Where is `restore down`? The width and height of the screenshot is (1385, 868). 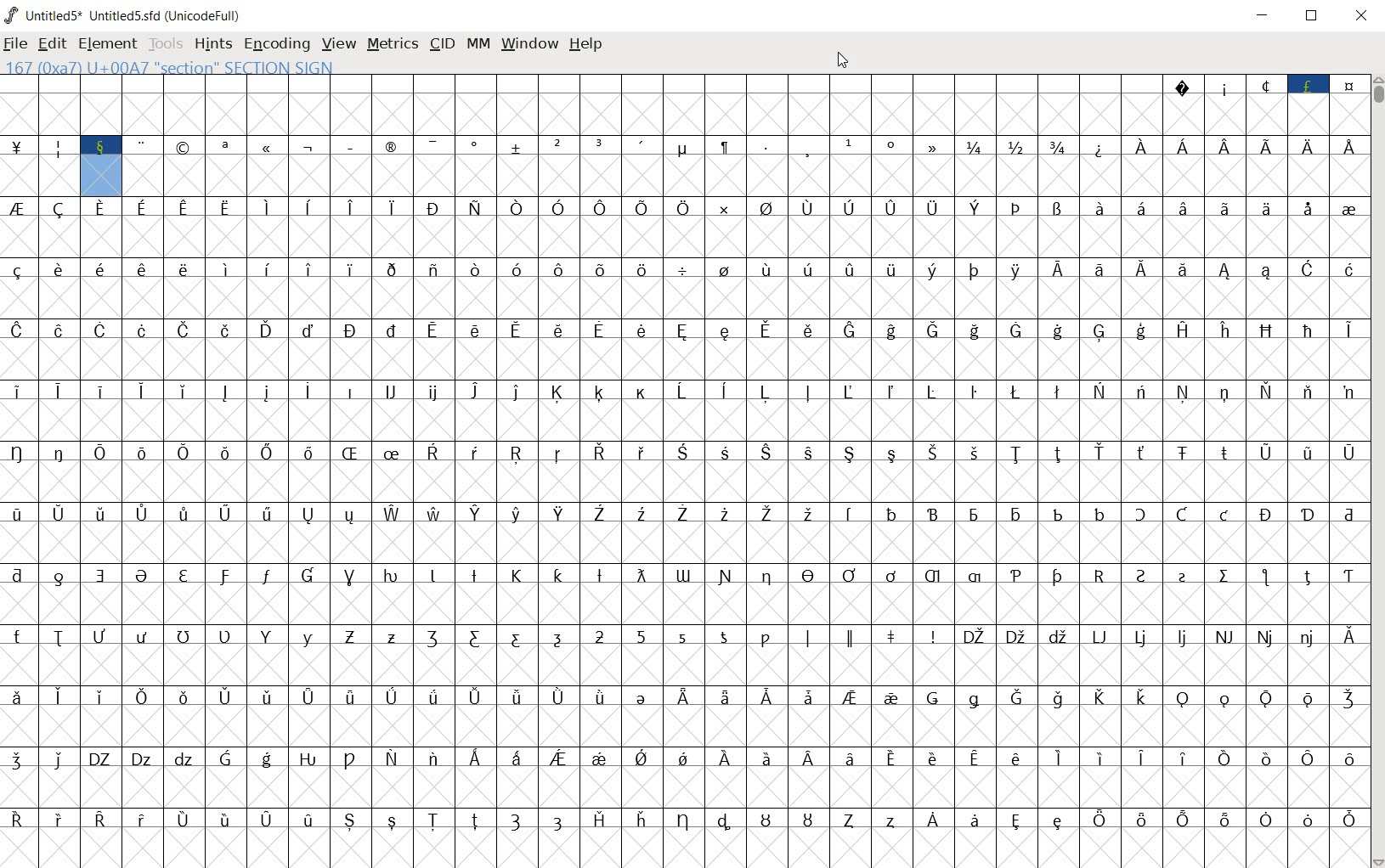
restore down is located at coordinates (1314, 16).